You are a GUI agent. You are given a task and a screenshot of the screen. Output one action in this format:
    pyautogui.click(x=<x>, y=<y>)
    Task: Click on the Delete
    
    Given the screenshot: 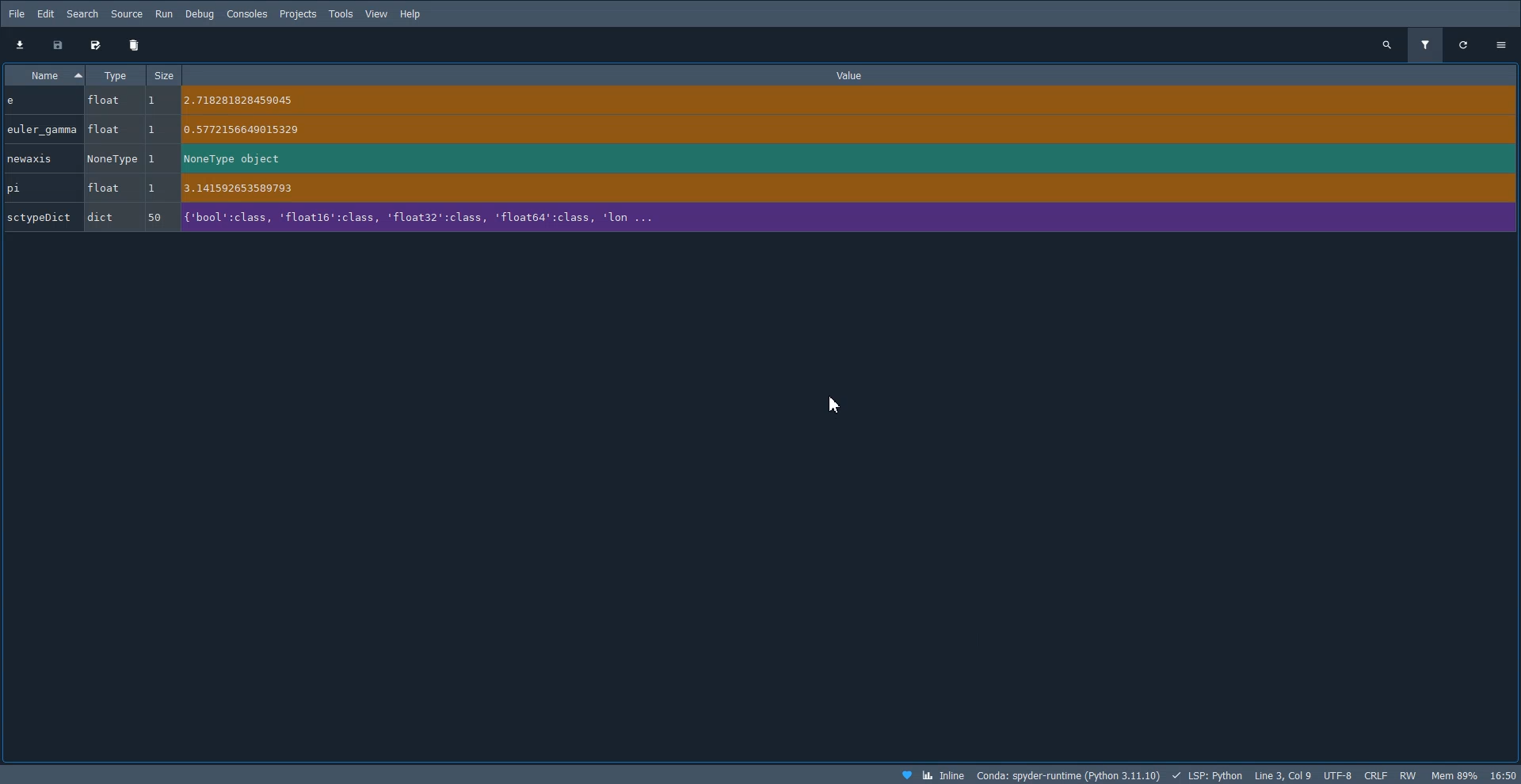 What is the action you would take?
    pyautogui.click(x=134, y=45)
    